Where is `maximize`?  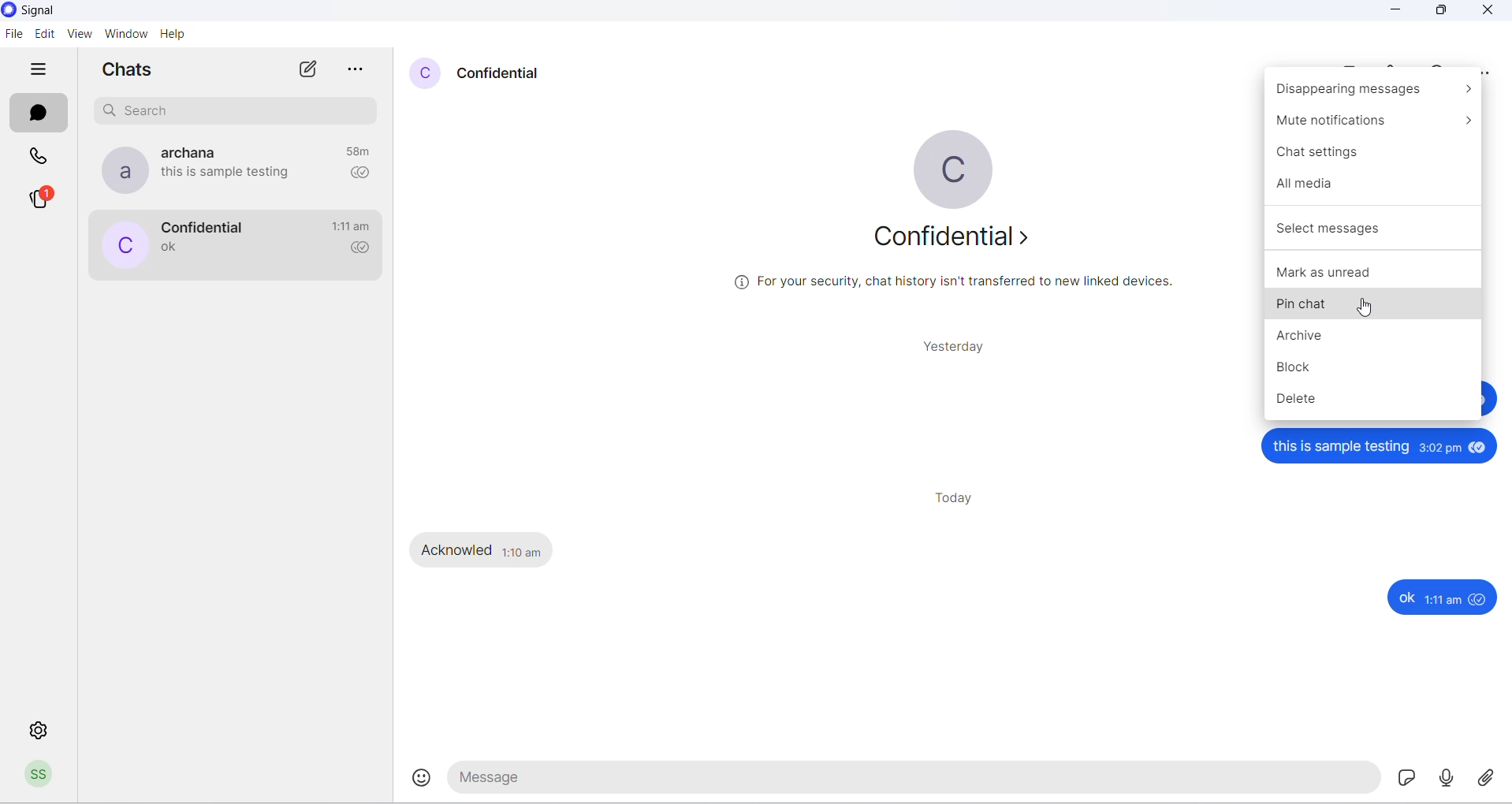
maximize is located at coordinates (1443, 14).